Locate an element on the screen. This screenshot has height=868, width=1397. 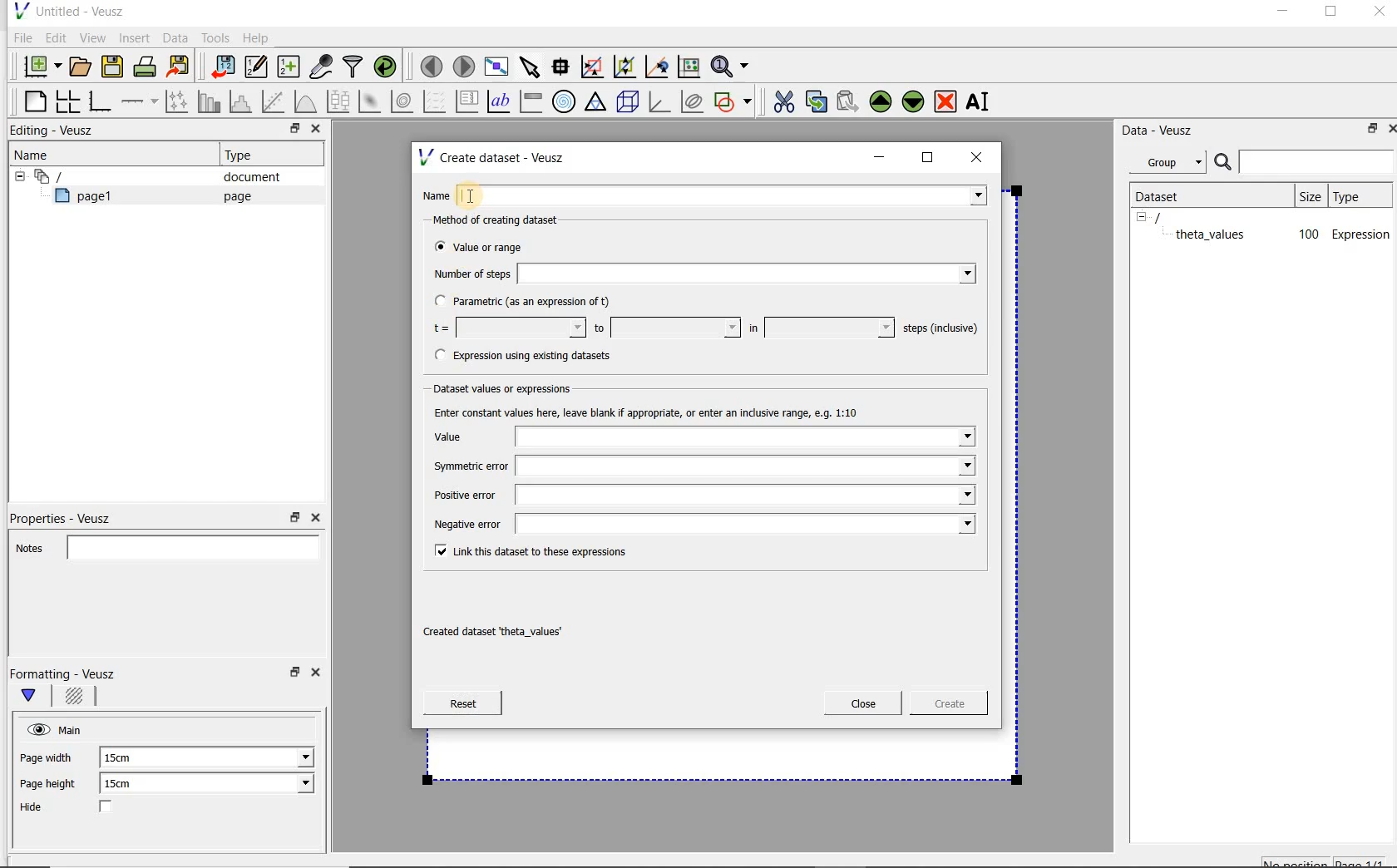
Dataset is located at coordinates (1166, 195).